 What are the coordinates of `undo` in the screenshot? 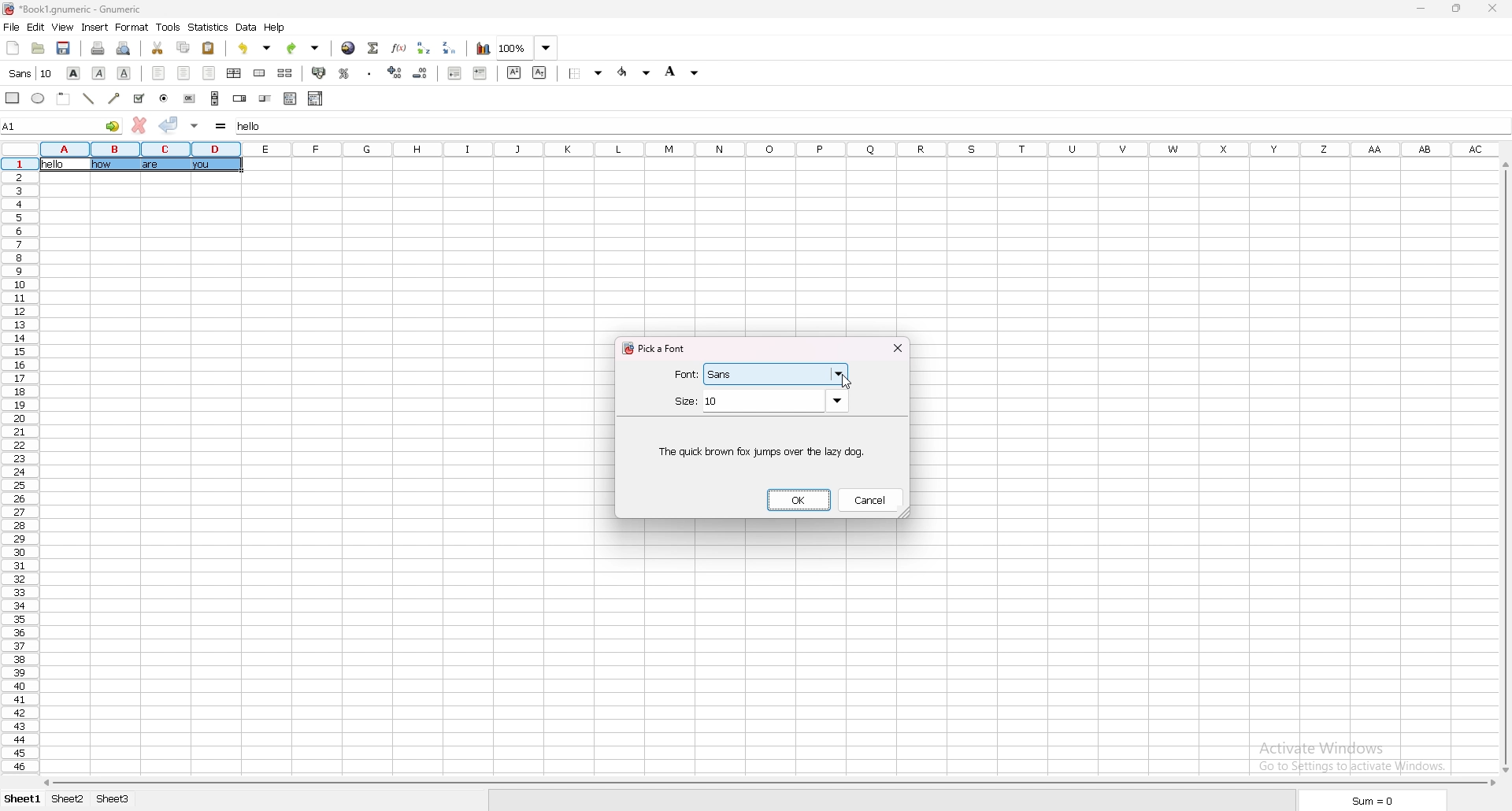 It's located at (257, 48).